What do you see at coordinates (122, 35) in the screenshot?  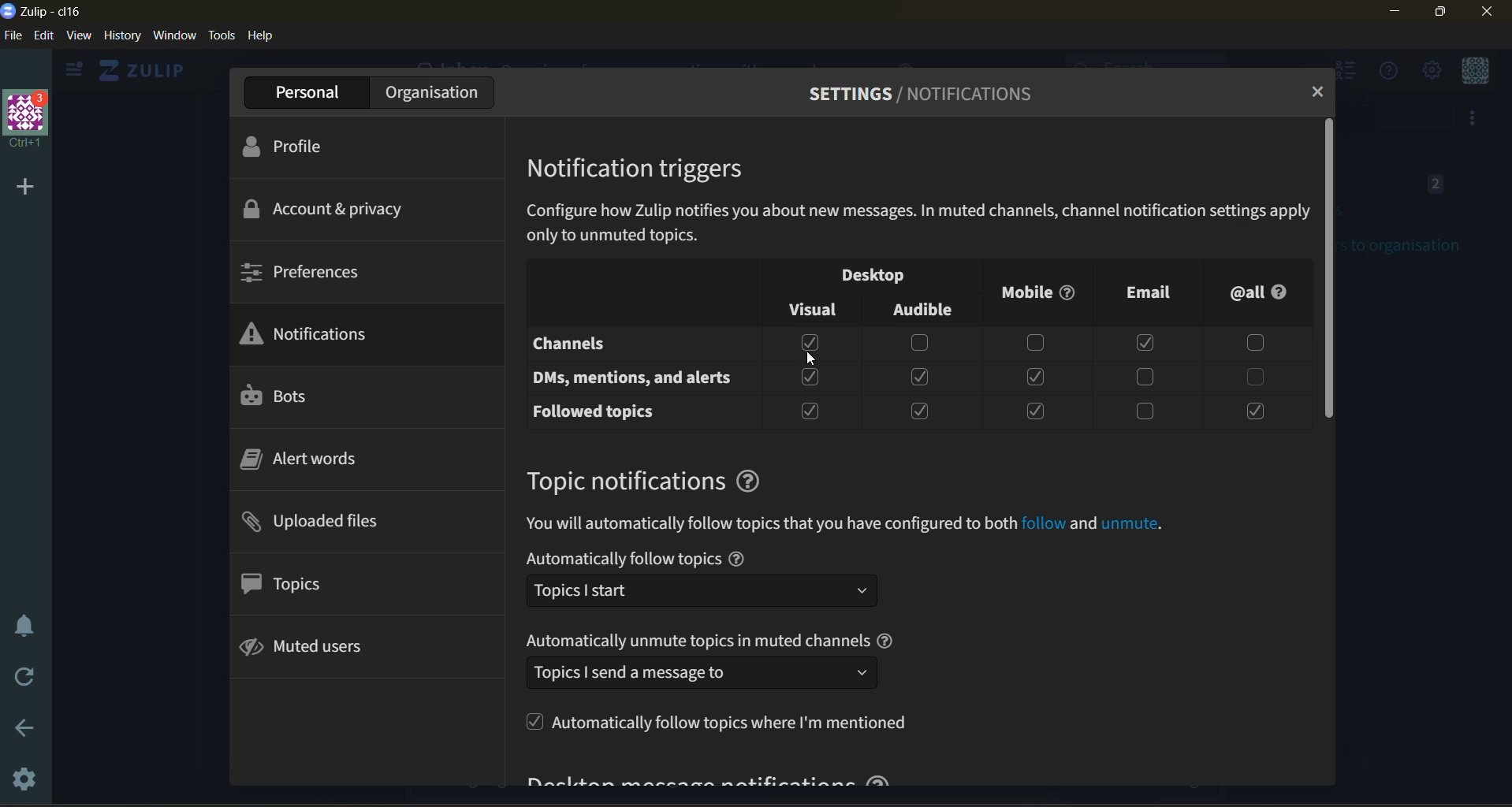 I see `history` at bounding box center [122, 35].